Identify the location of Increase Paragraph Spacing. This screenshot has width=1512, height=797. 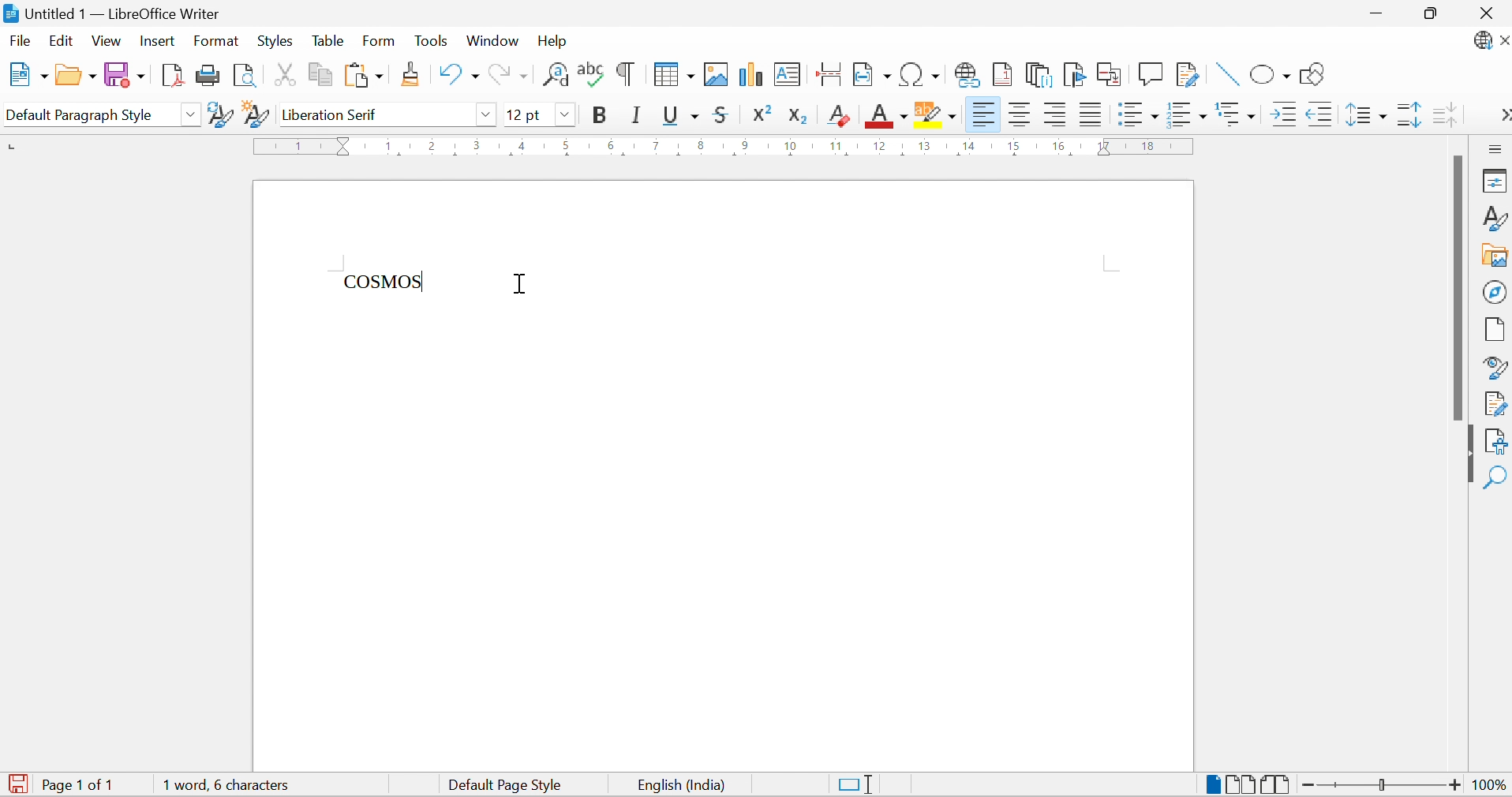
(1408, 116).